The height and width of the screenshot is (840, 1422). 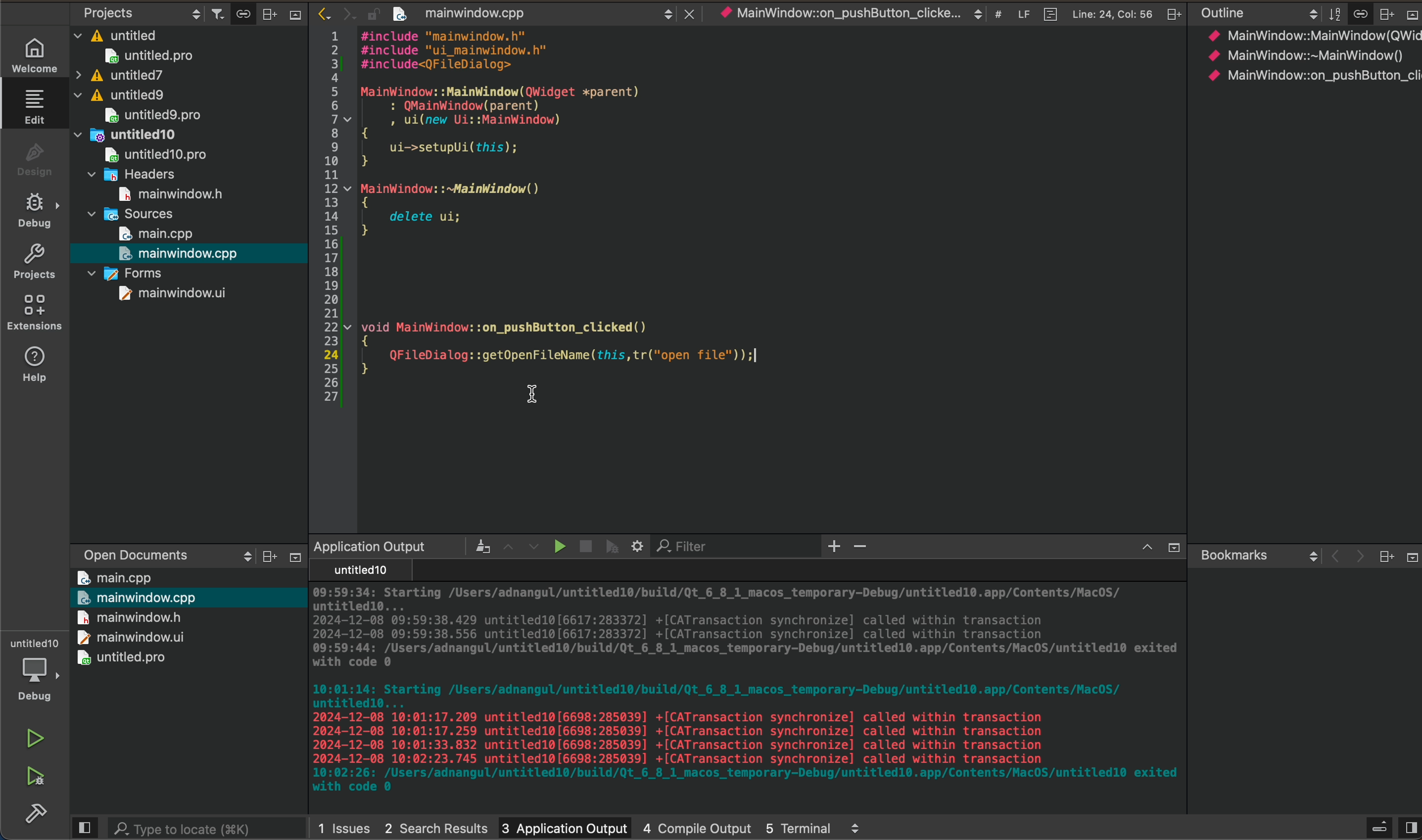 I want to click on , so click(x=291, y=557).